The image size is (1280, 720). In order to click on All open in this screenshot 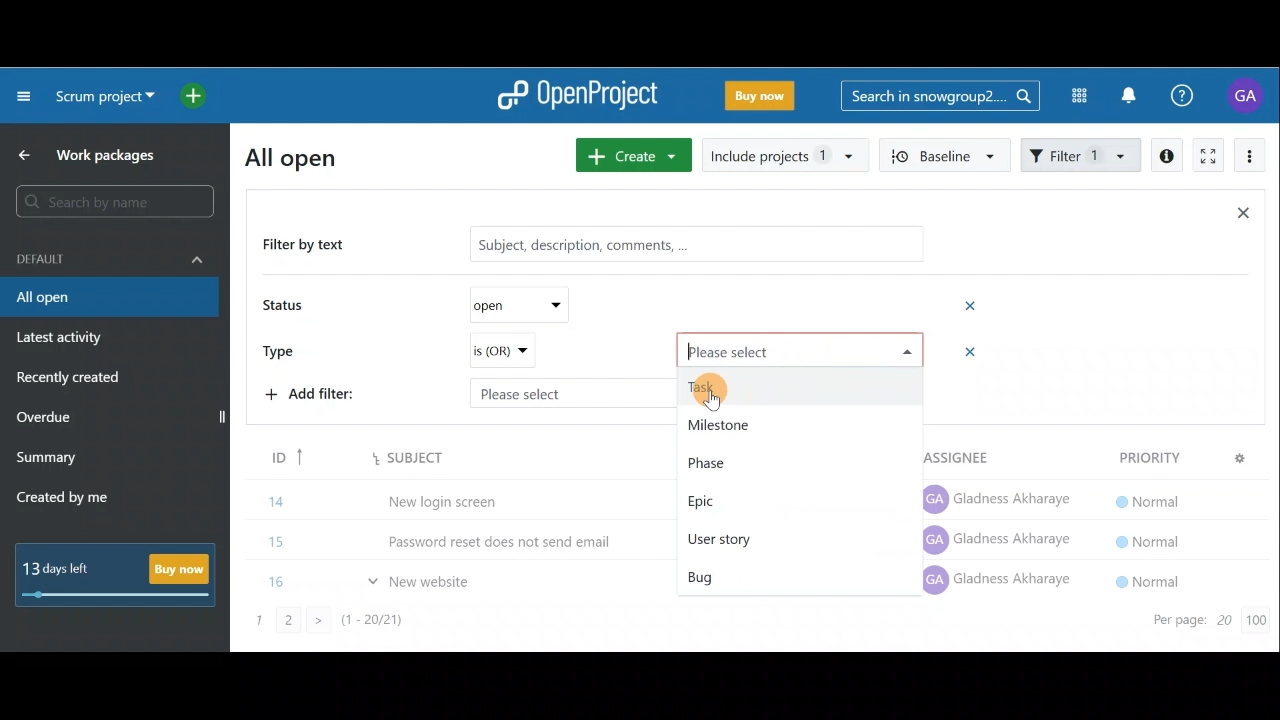, I will do `click(303, 156)`.